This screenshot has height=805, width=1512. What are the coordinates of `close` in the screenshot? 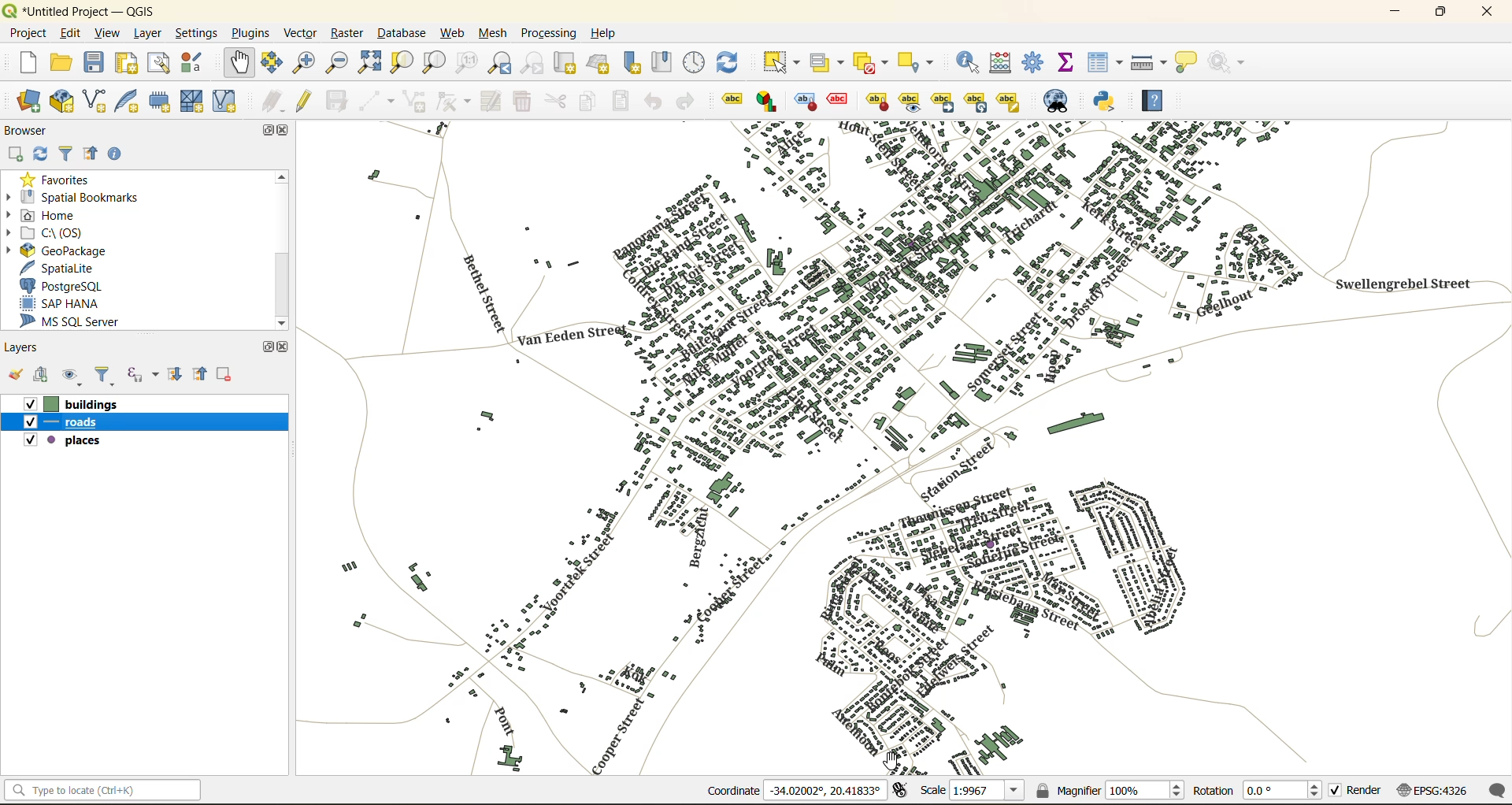 It's located at (1483, 13).